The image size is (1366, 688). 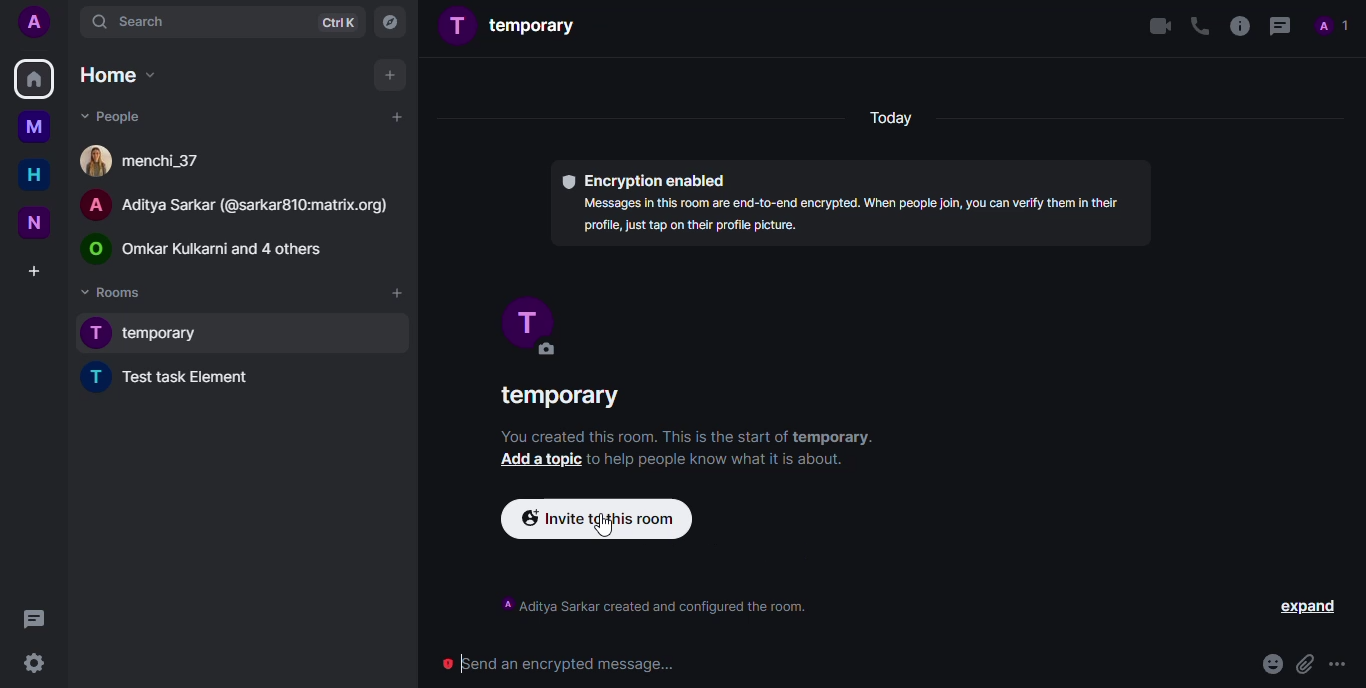 I want to click on people, so click(x=1332, y=25).